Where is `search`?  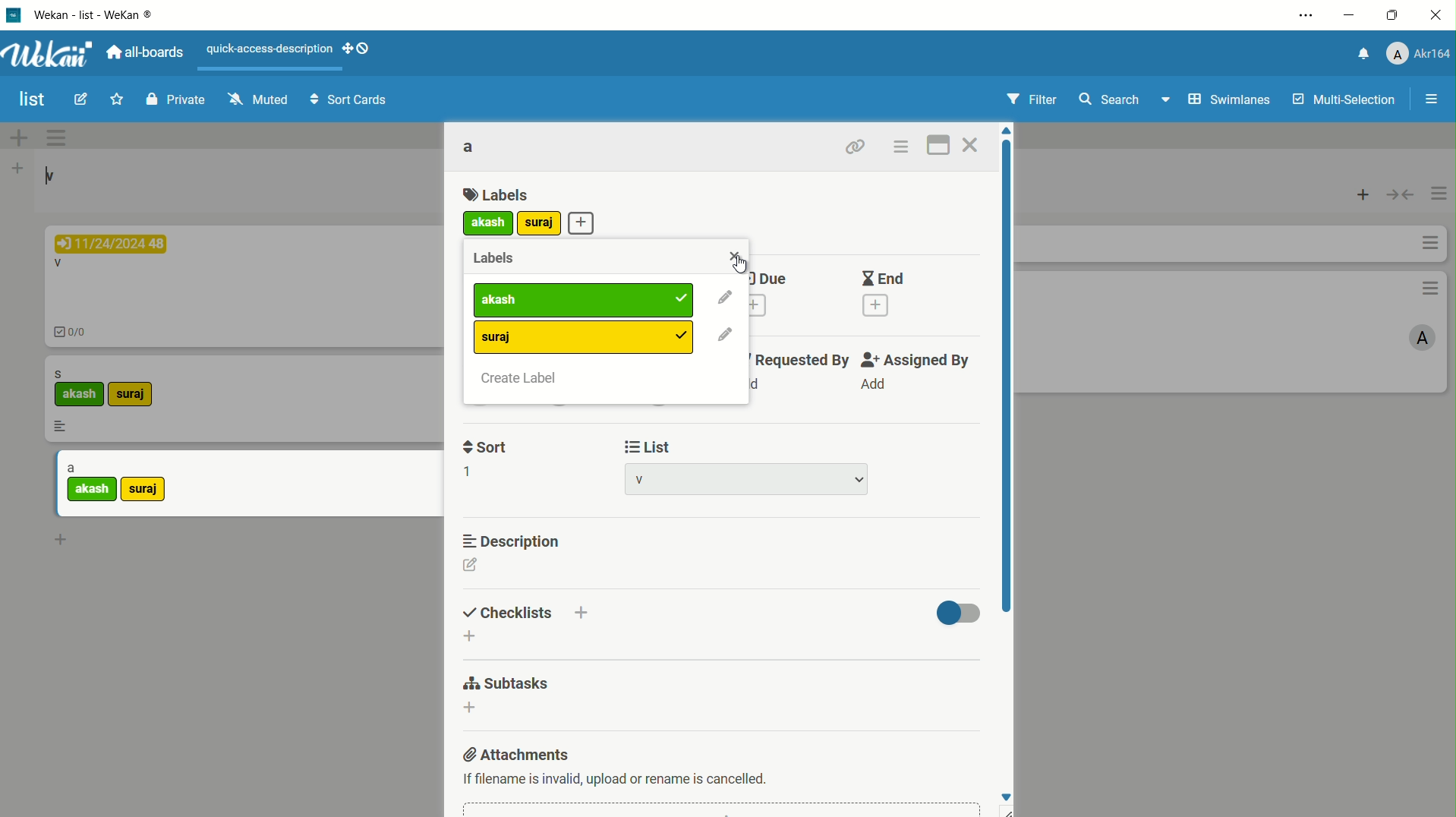 search is located at coordinates (1111, 99).